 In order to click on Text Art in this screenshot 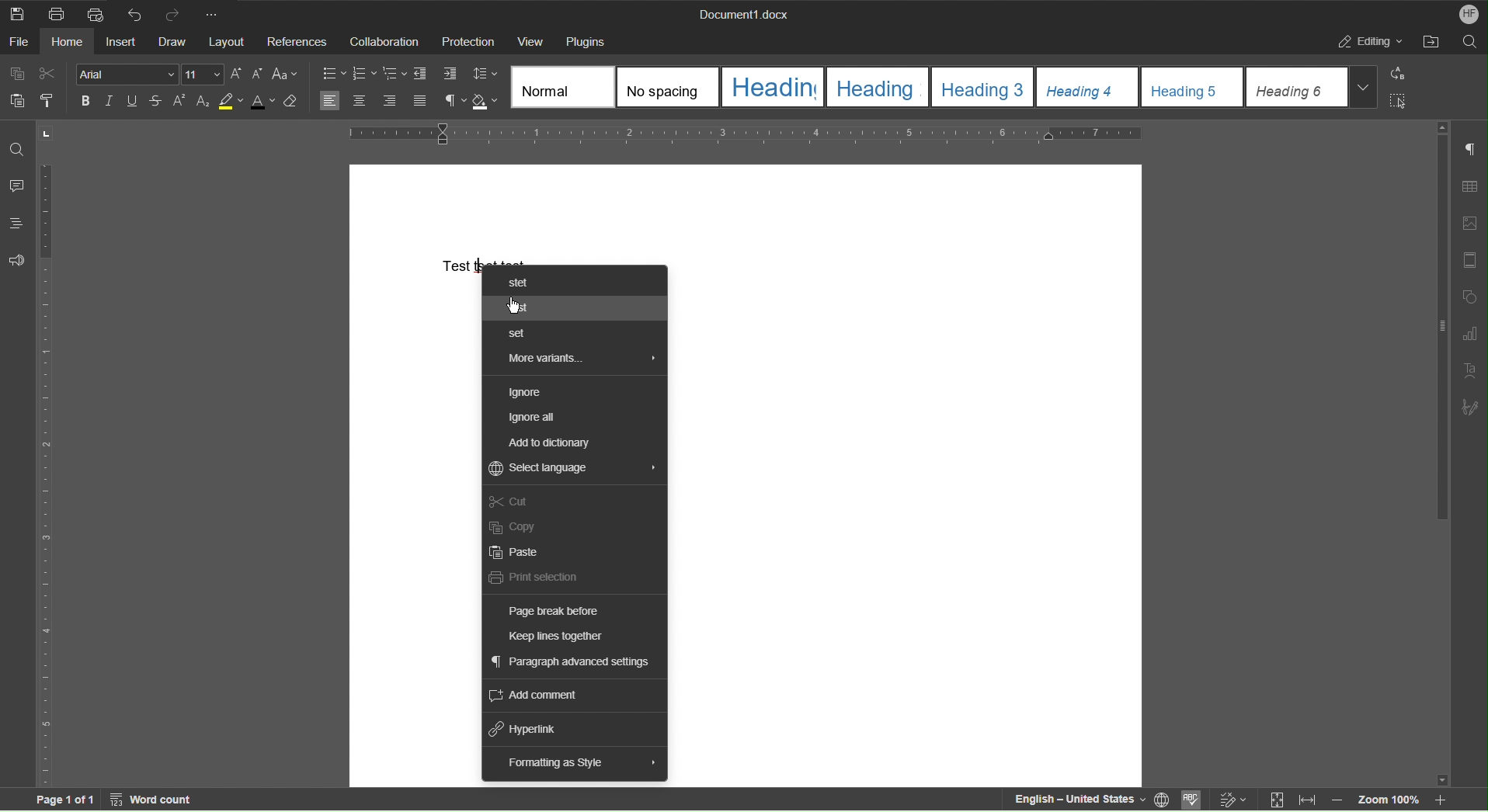, I will do `click(1469, 371)`.